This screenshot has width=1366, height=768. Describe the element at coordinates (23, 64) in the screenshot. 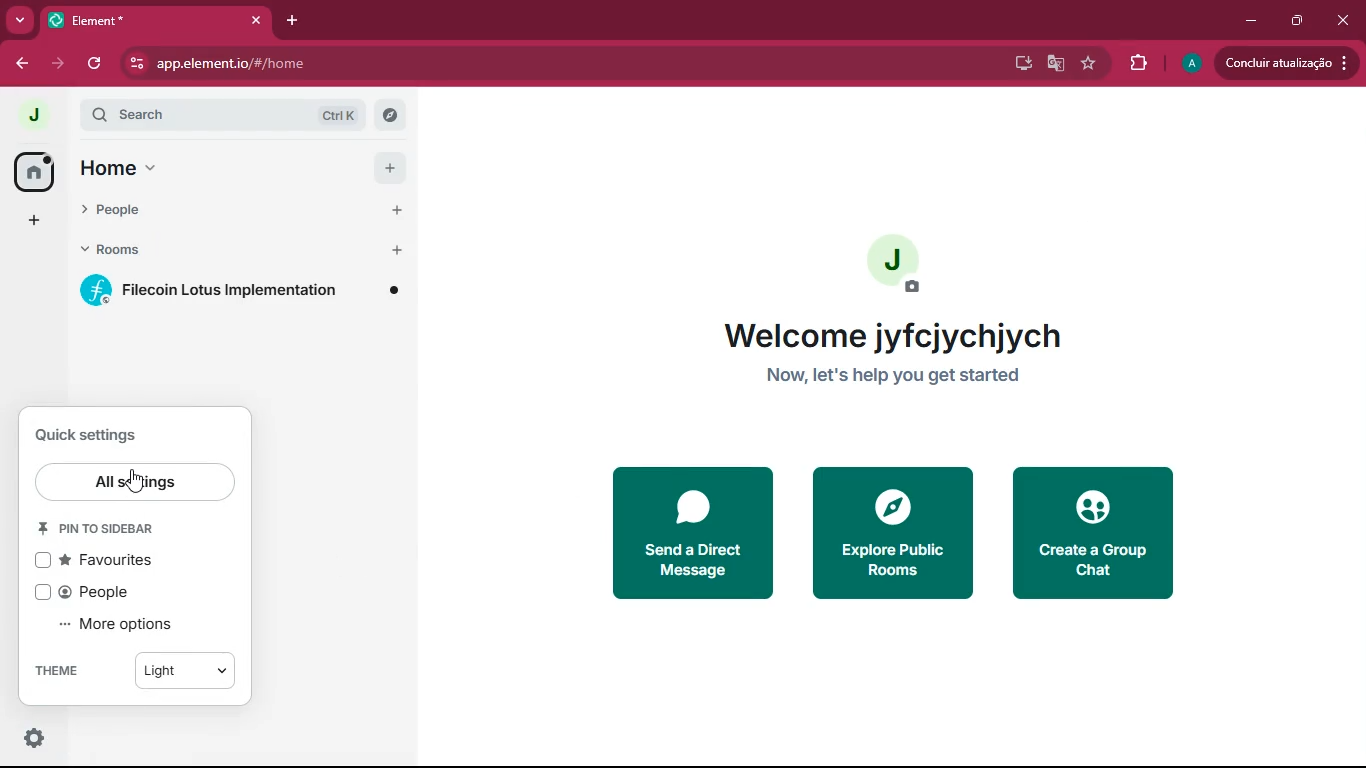

I see `back` at that location.